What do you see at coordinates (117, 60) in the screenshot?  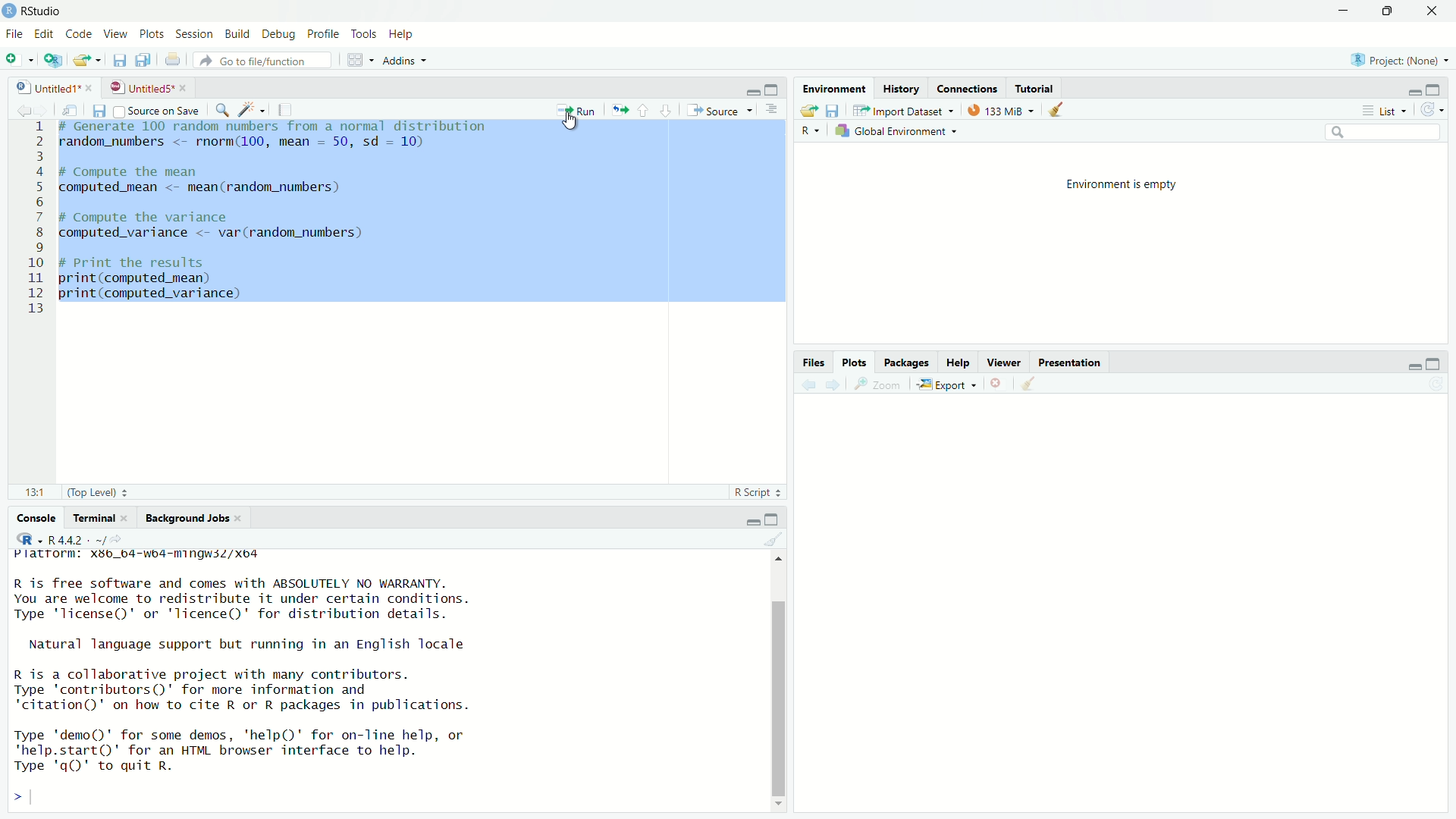 I see `save current document` at bounding box center [117, 60].